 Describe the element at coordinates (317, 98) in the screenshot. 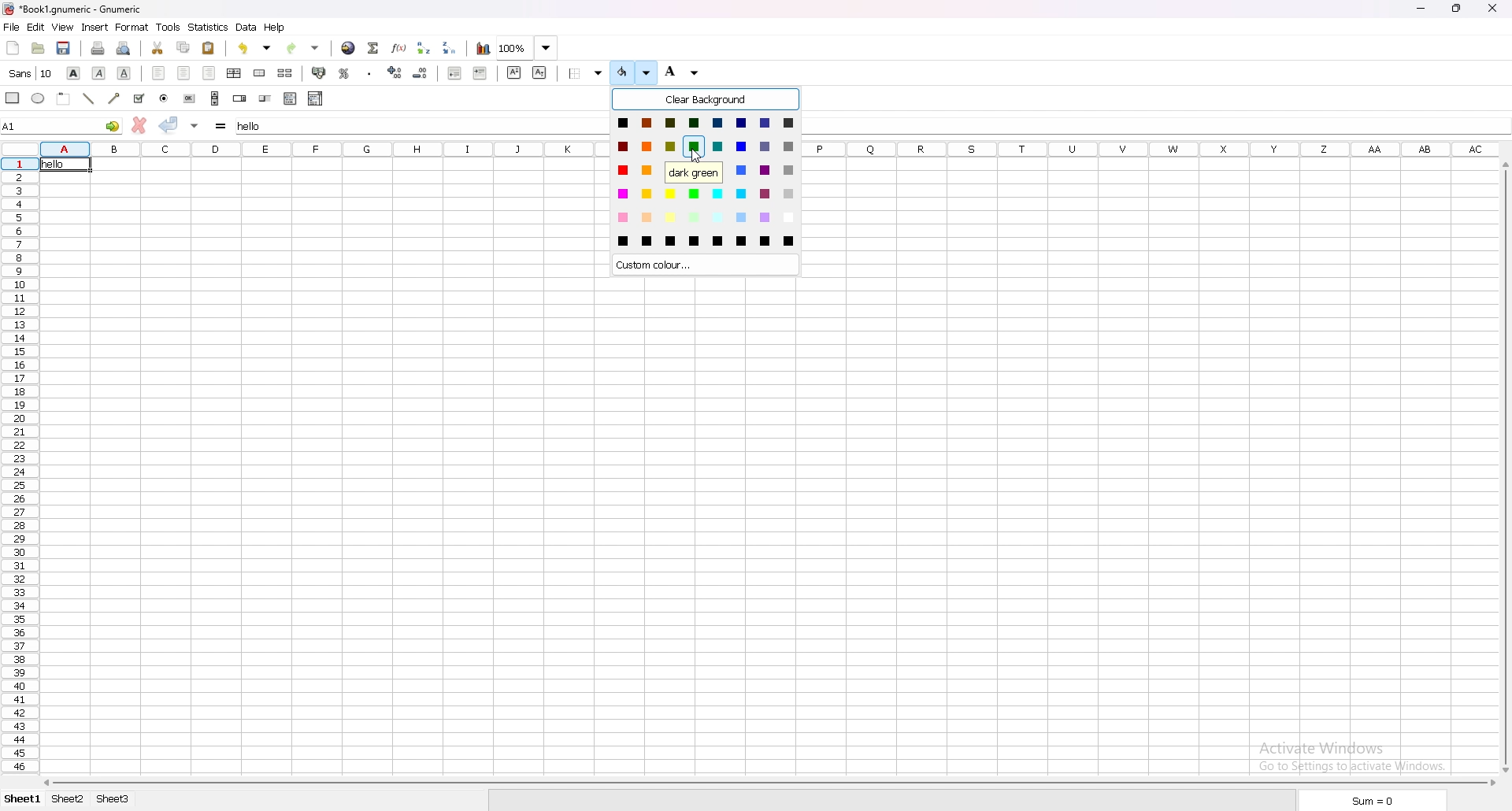

I see `combo box` at that location.